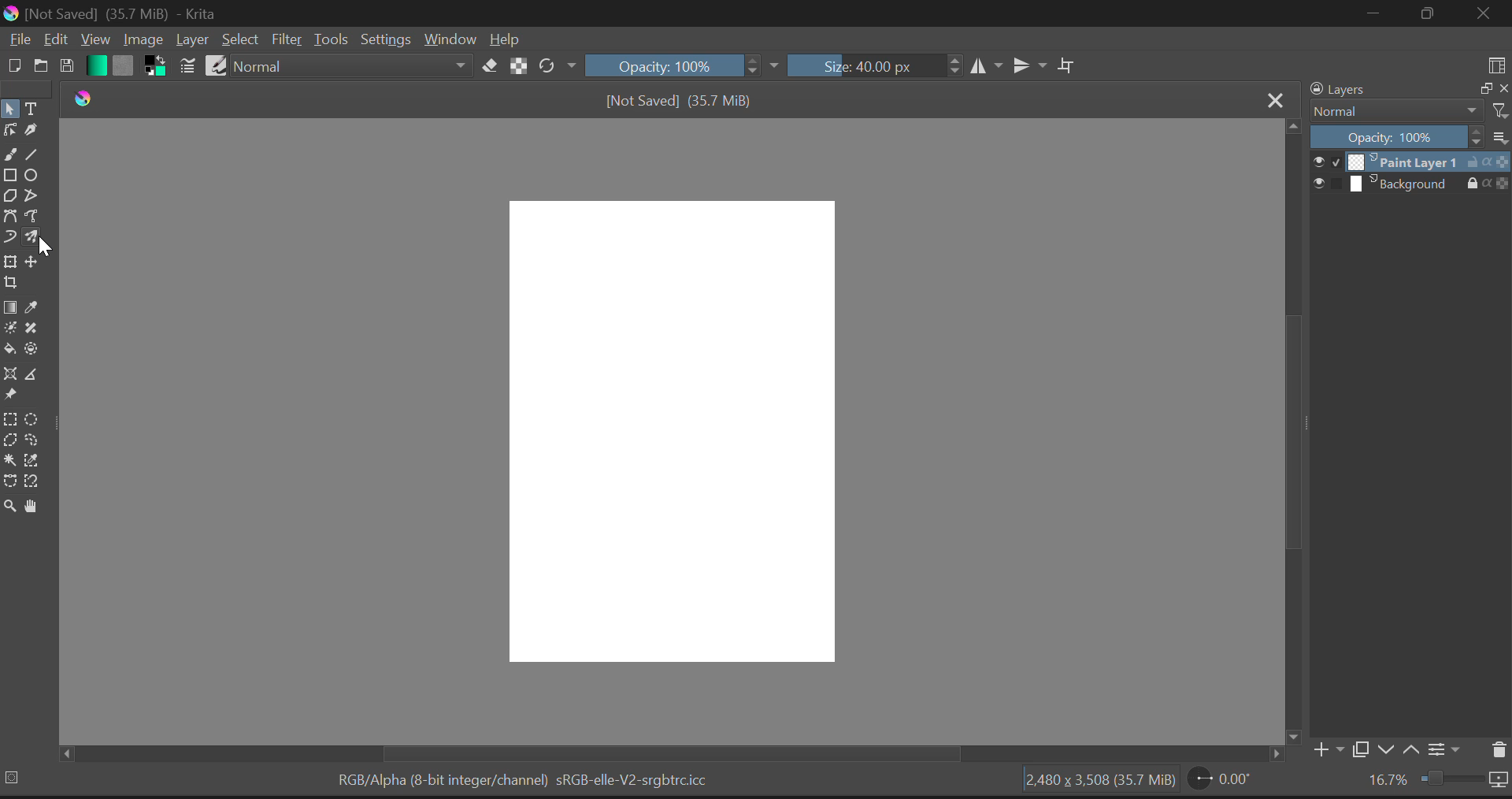  I want to click on Edit, so click(55, 40).